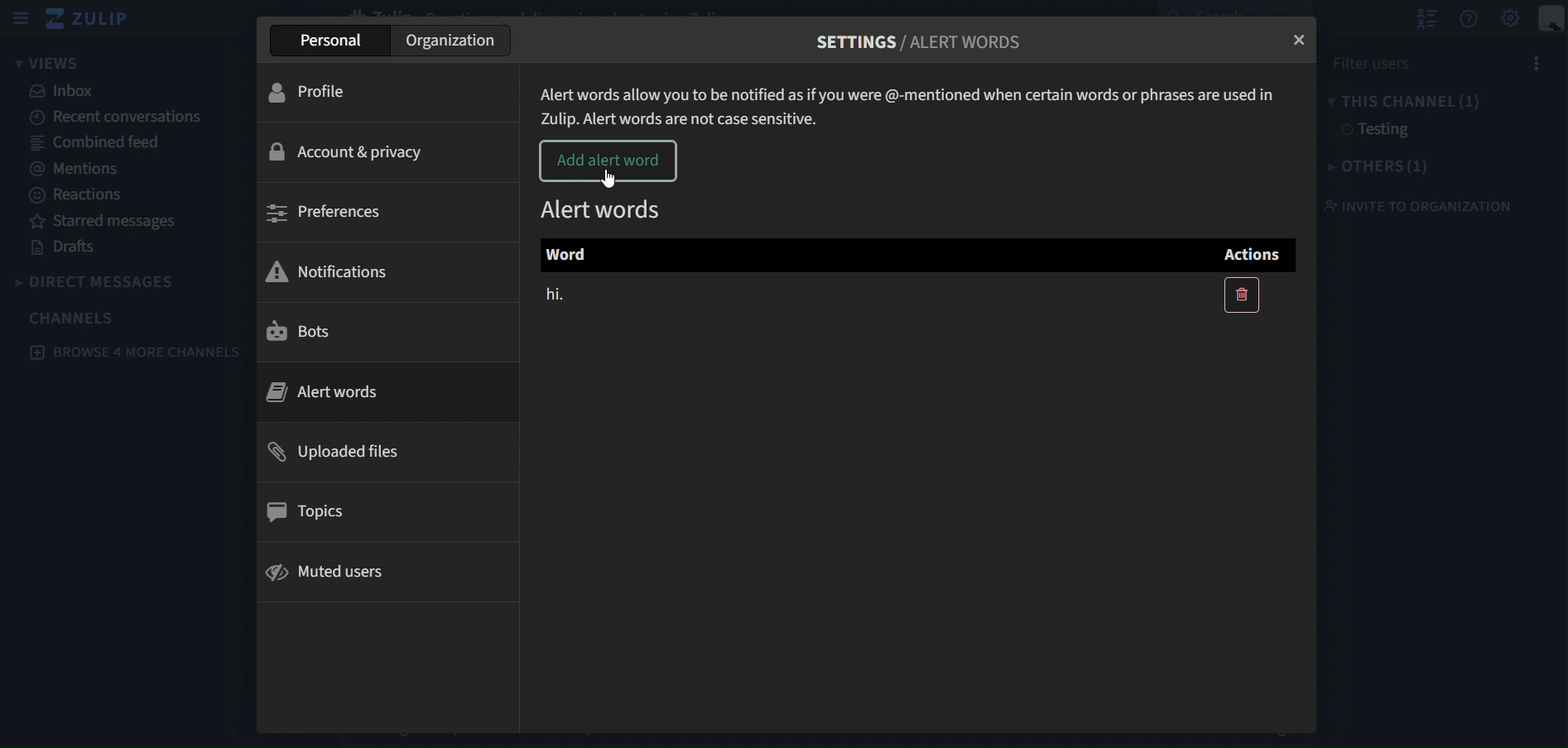 This screenshot has height=748, width=1568. I want to click on account & privacy, so click(354, 152).